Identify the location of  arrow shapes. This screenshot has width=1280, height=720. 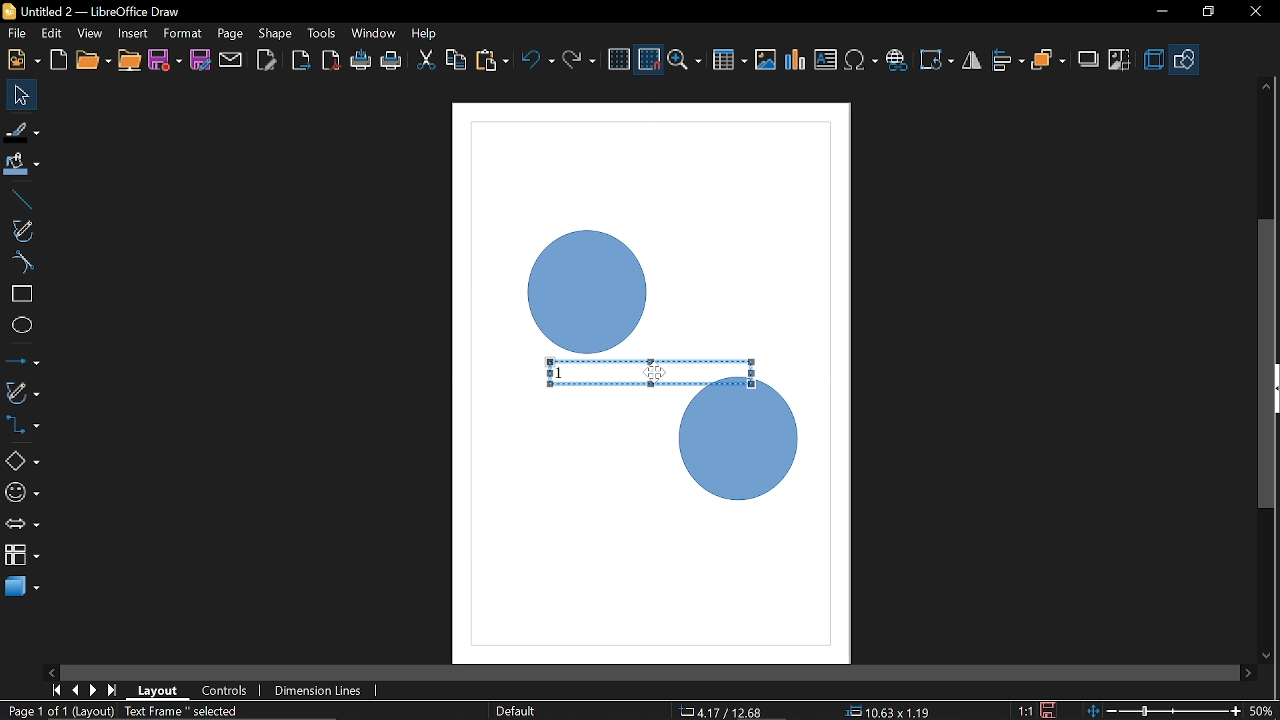
(22, 526).